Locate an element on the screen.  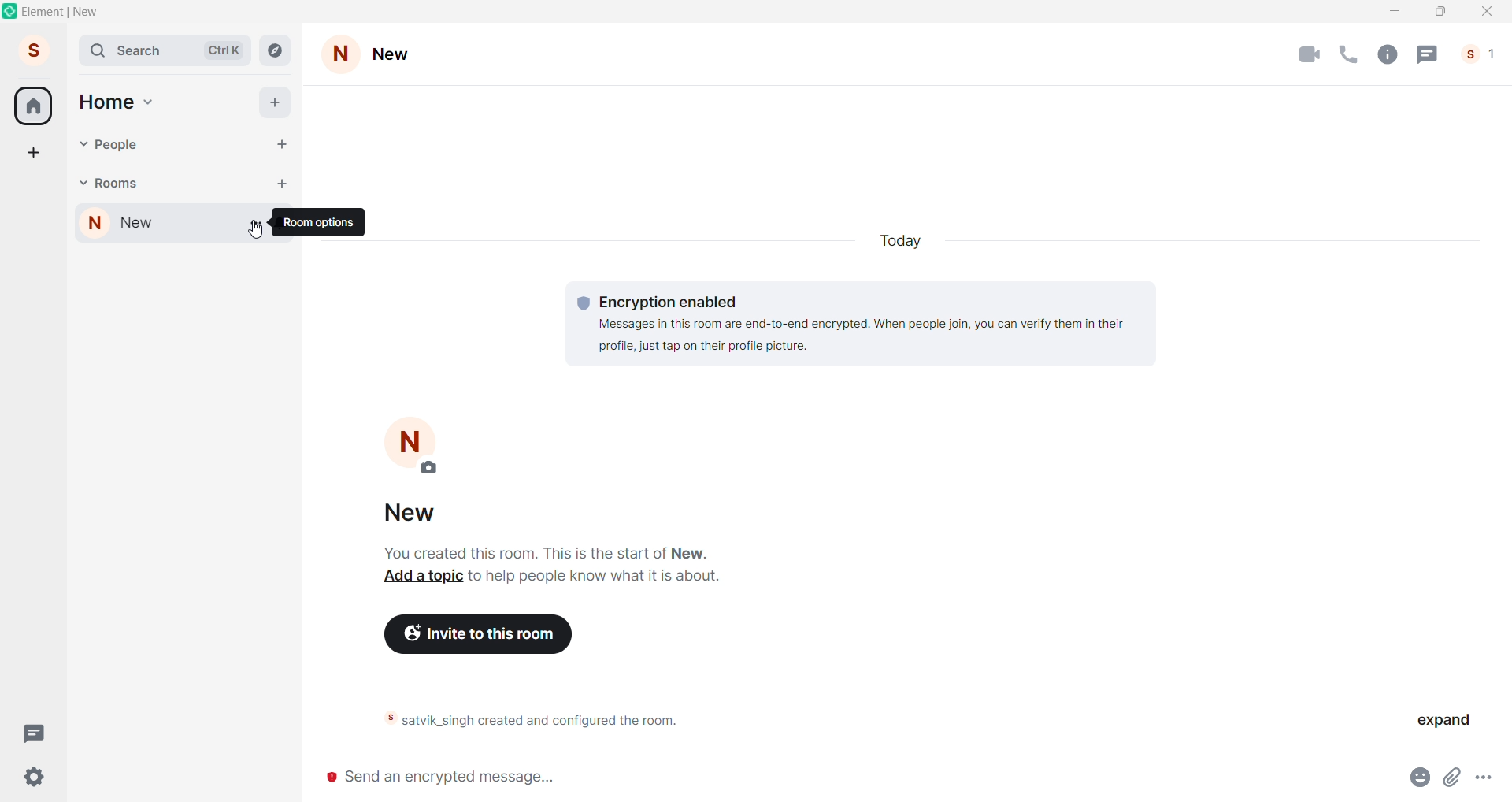
Account is located at coordinates (32, 48).